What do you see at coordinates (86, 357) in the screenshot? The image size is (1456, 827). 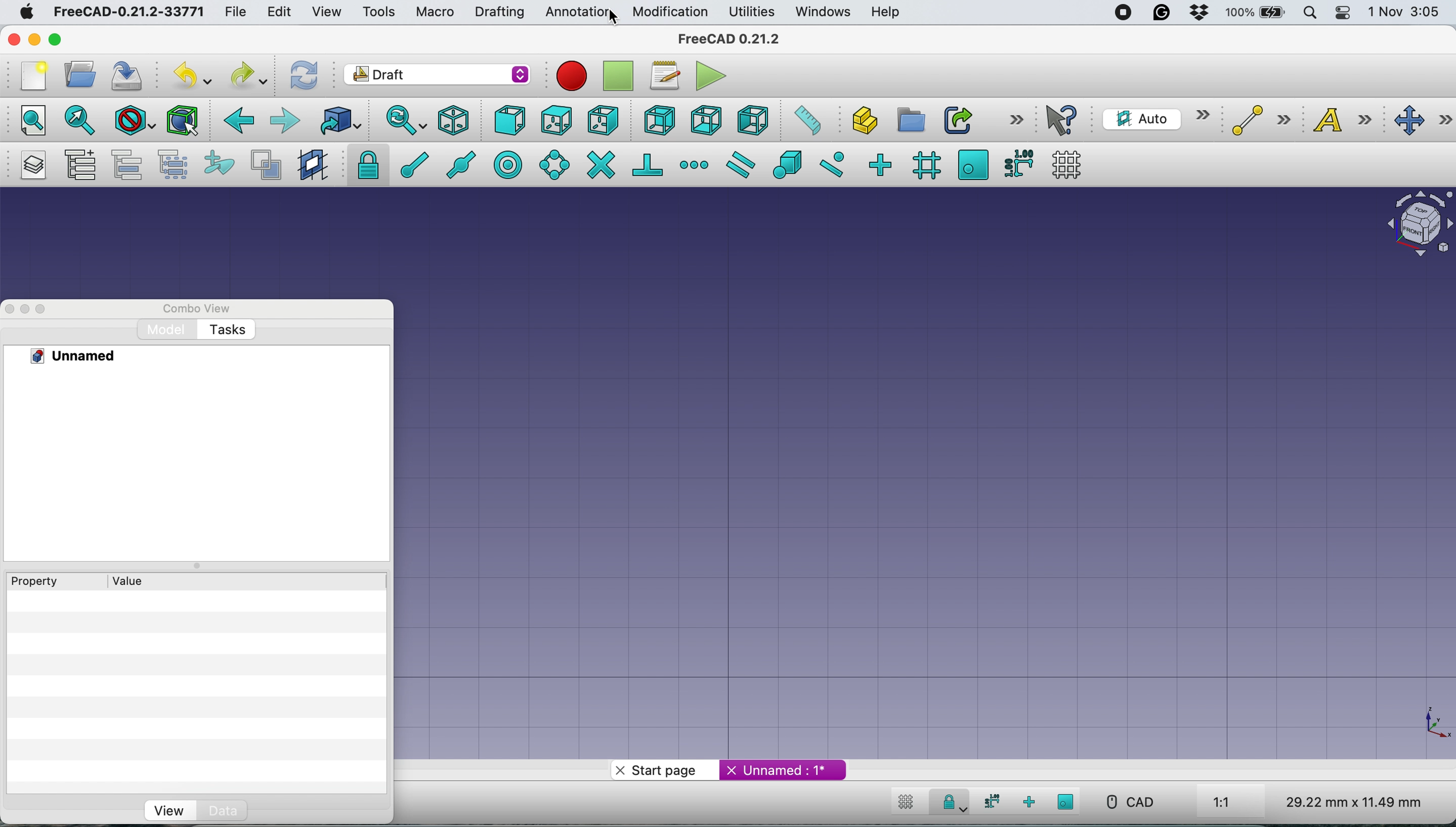 I see `unnamed` at bounding box center [86, 357].